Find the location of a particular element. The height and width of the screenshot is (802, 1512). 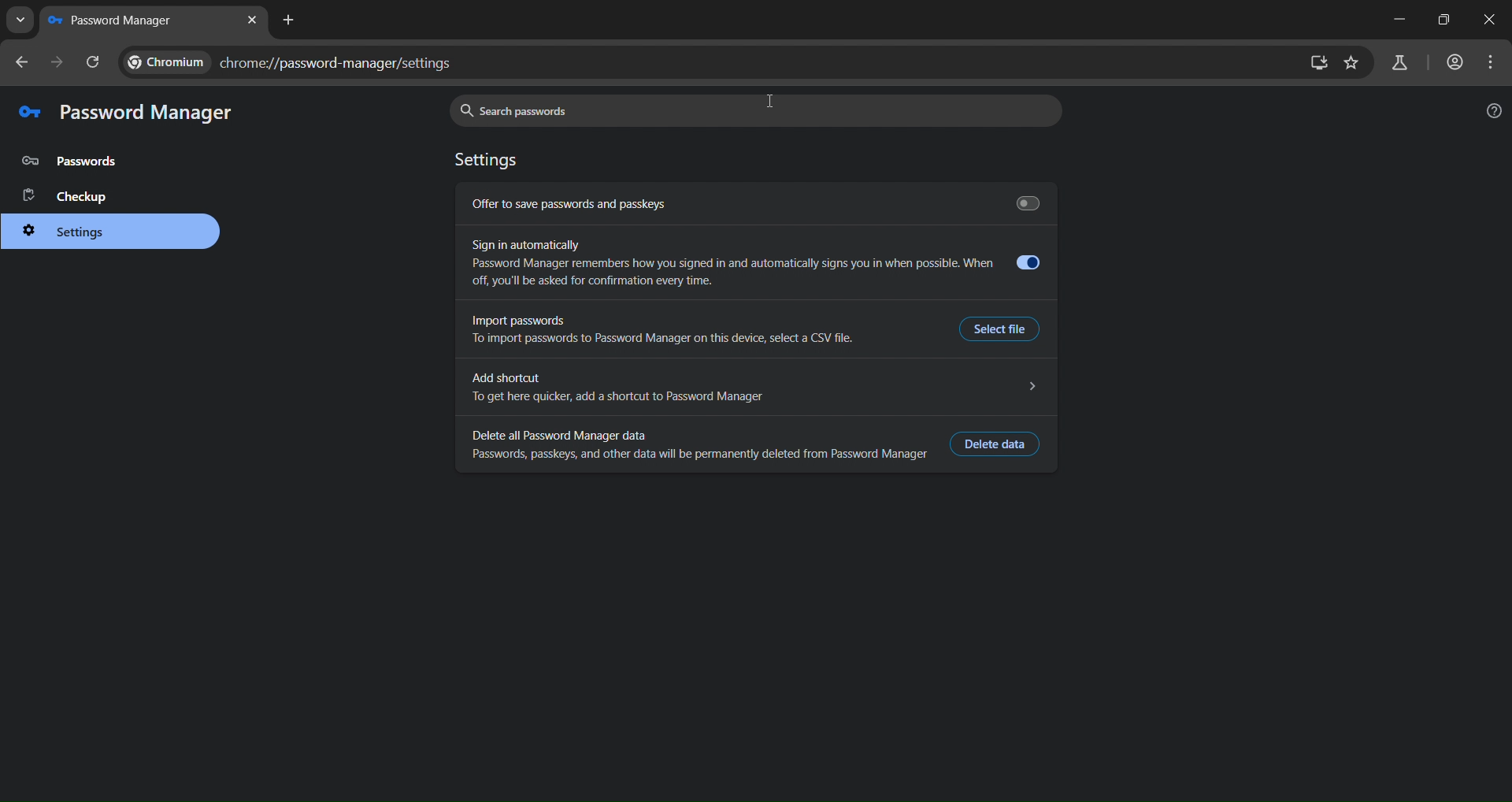

Add shortcut 5
To get here quicker, add a shortcut to Password Manager is located at coordinates (751, 388).